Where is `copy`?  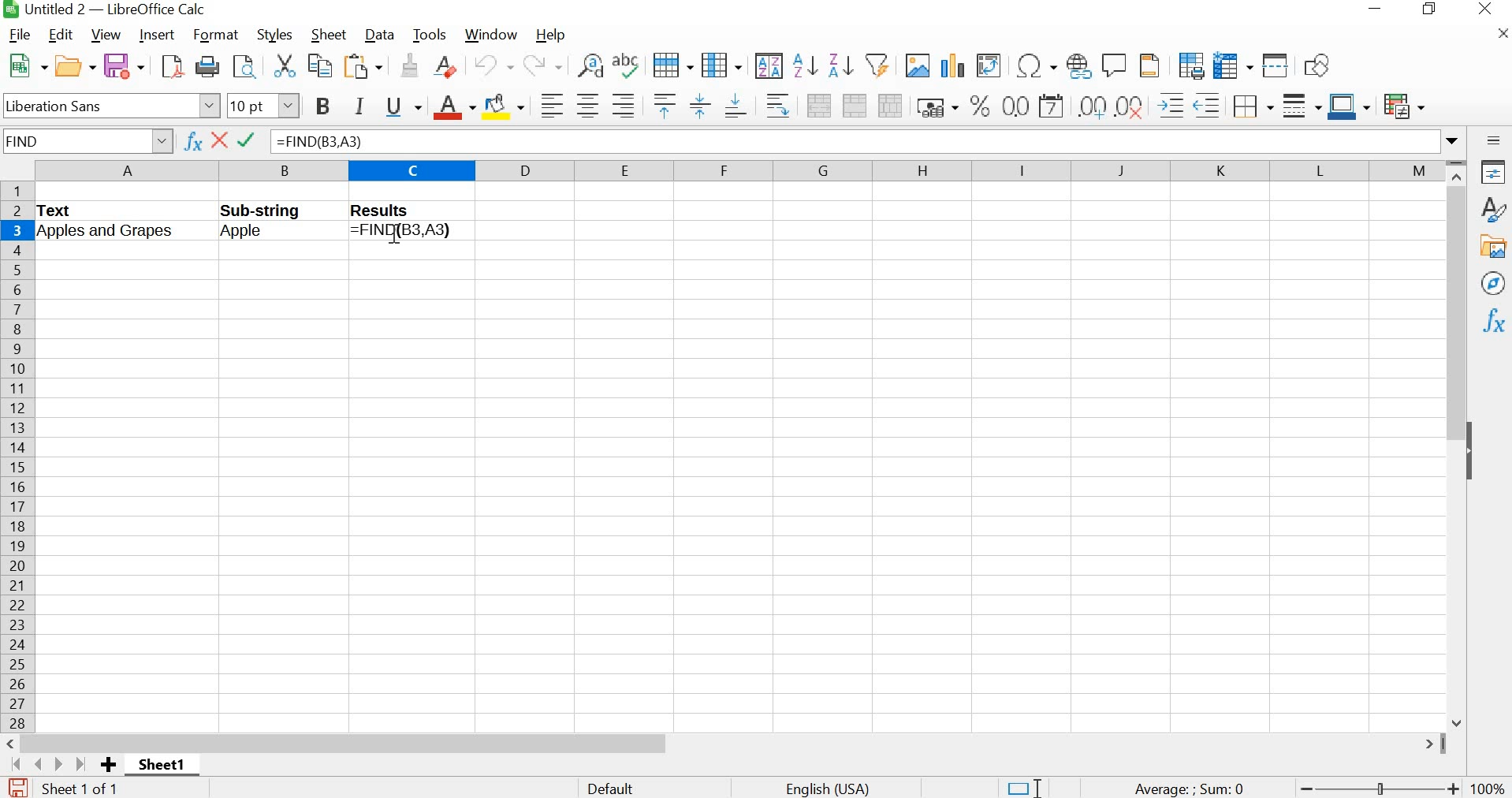
copy is located at coordinates (318, 65).